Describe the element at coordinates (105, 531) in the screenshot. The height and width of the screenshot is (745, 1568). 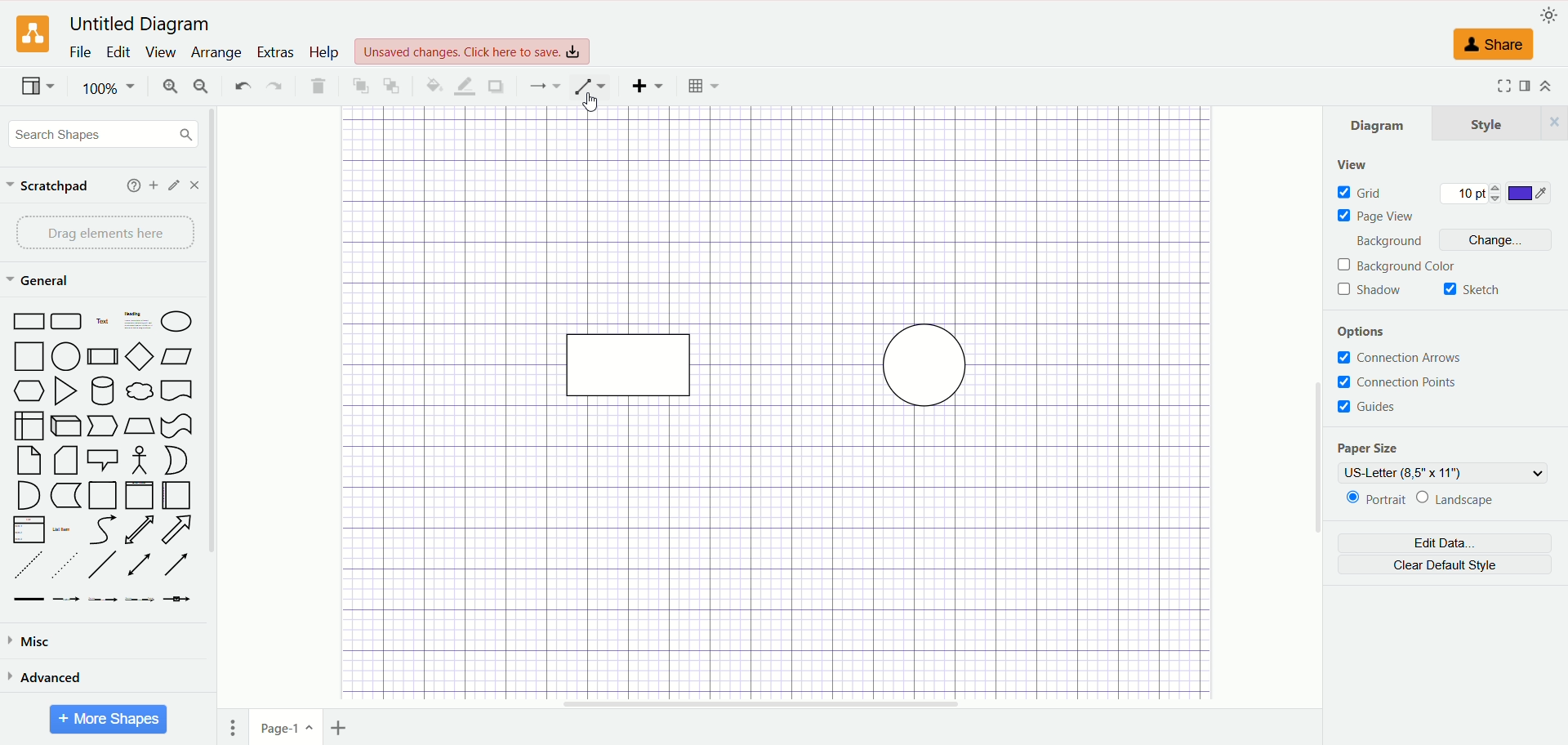
I see `Curved Arrow` at that location.